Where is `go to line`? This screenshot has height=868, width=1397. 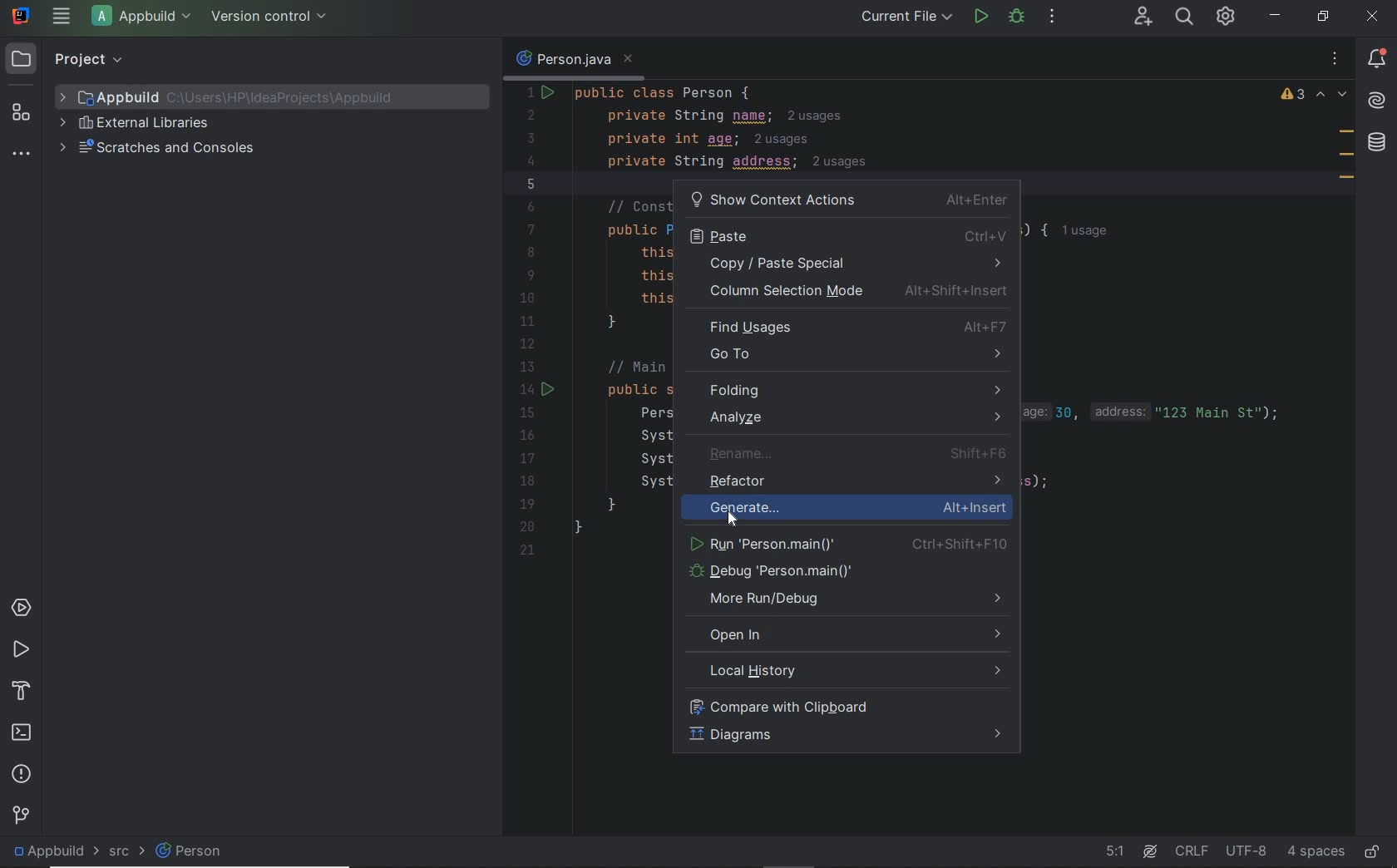 go to line is located at coordinates (1113, 852).